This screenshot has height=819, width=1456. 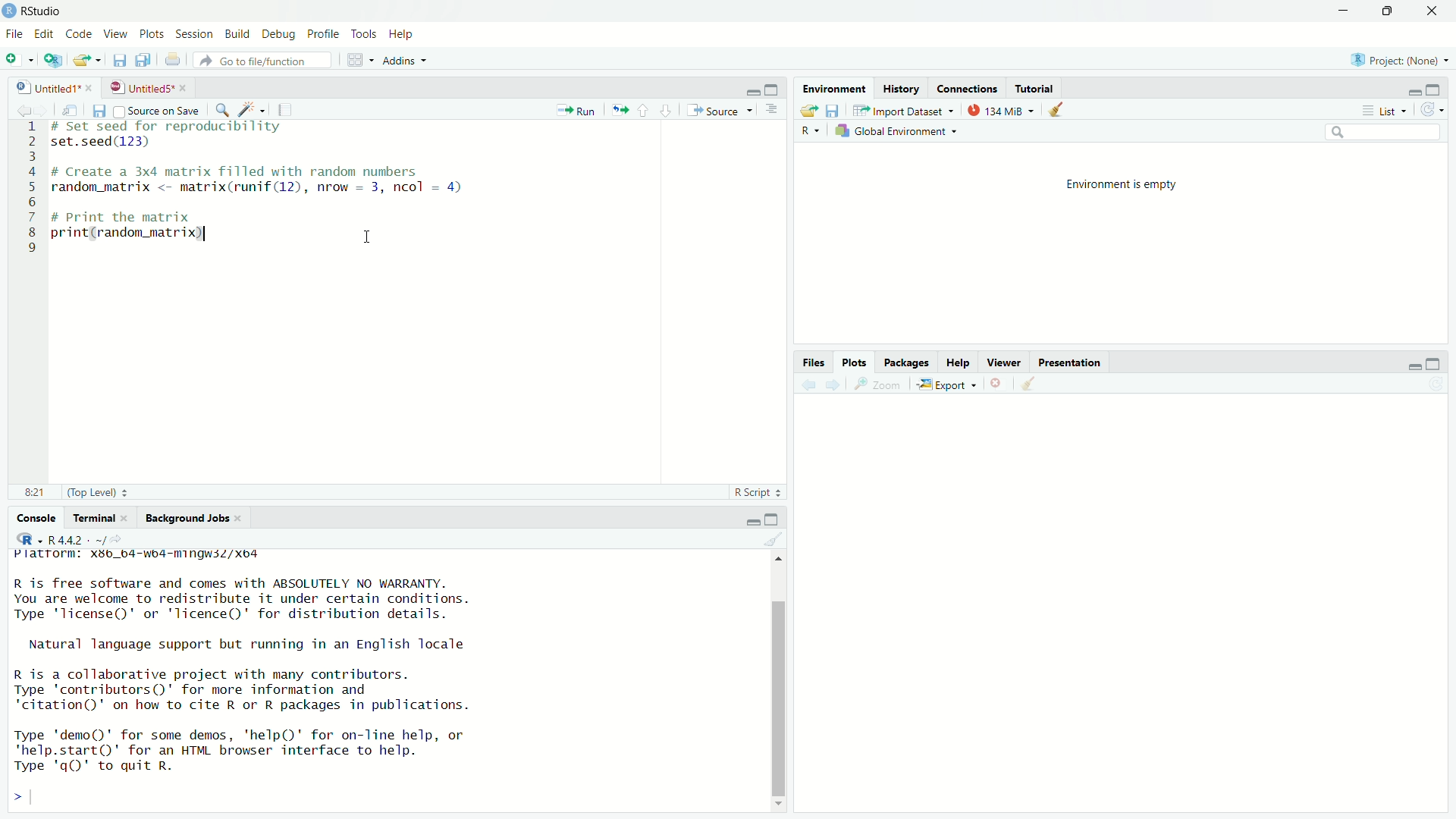 What do you see at coordinates (116, 60) in the screenshot?
I see `files` at bounding box center [116, 60].